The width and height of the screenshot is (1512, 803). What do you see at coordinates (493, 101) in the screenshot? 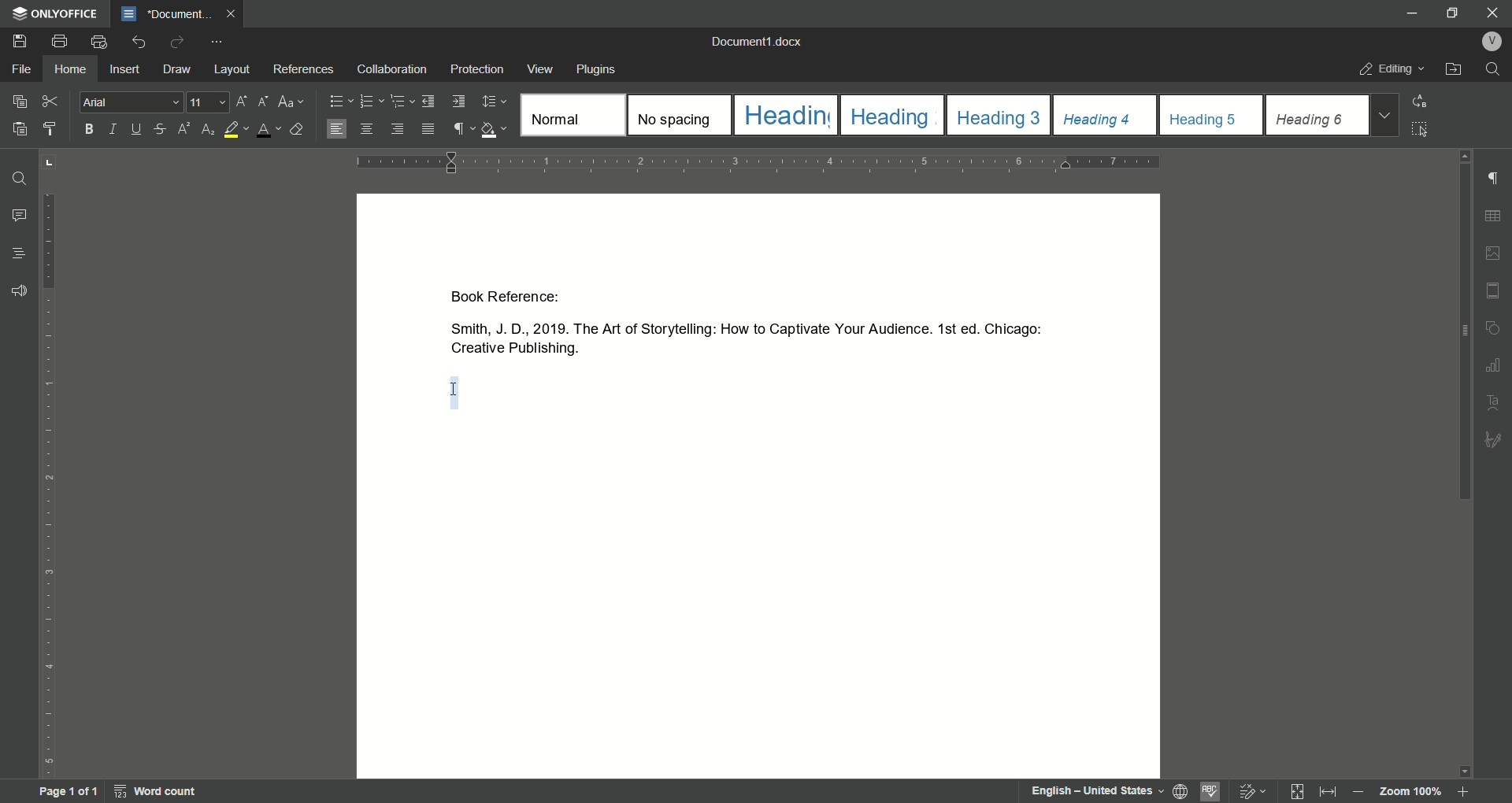
I see `paragraph line spacing` at bounding box center [493, 101].